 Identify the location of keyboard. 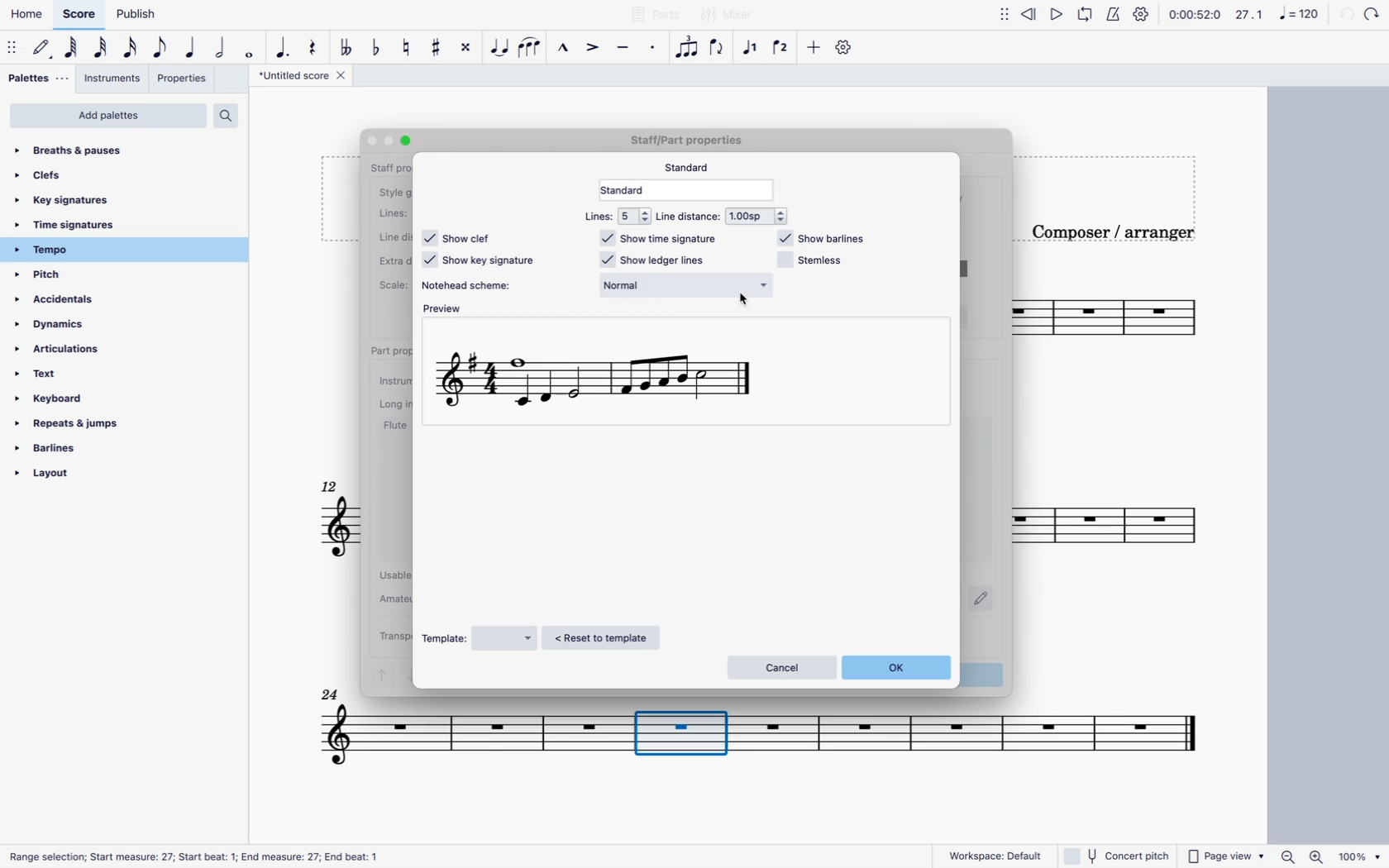
(82, 399).